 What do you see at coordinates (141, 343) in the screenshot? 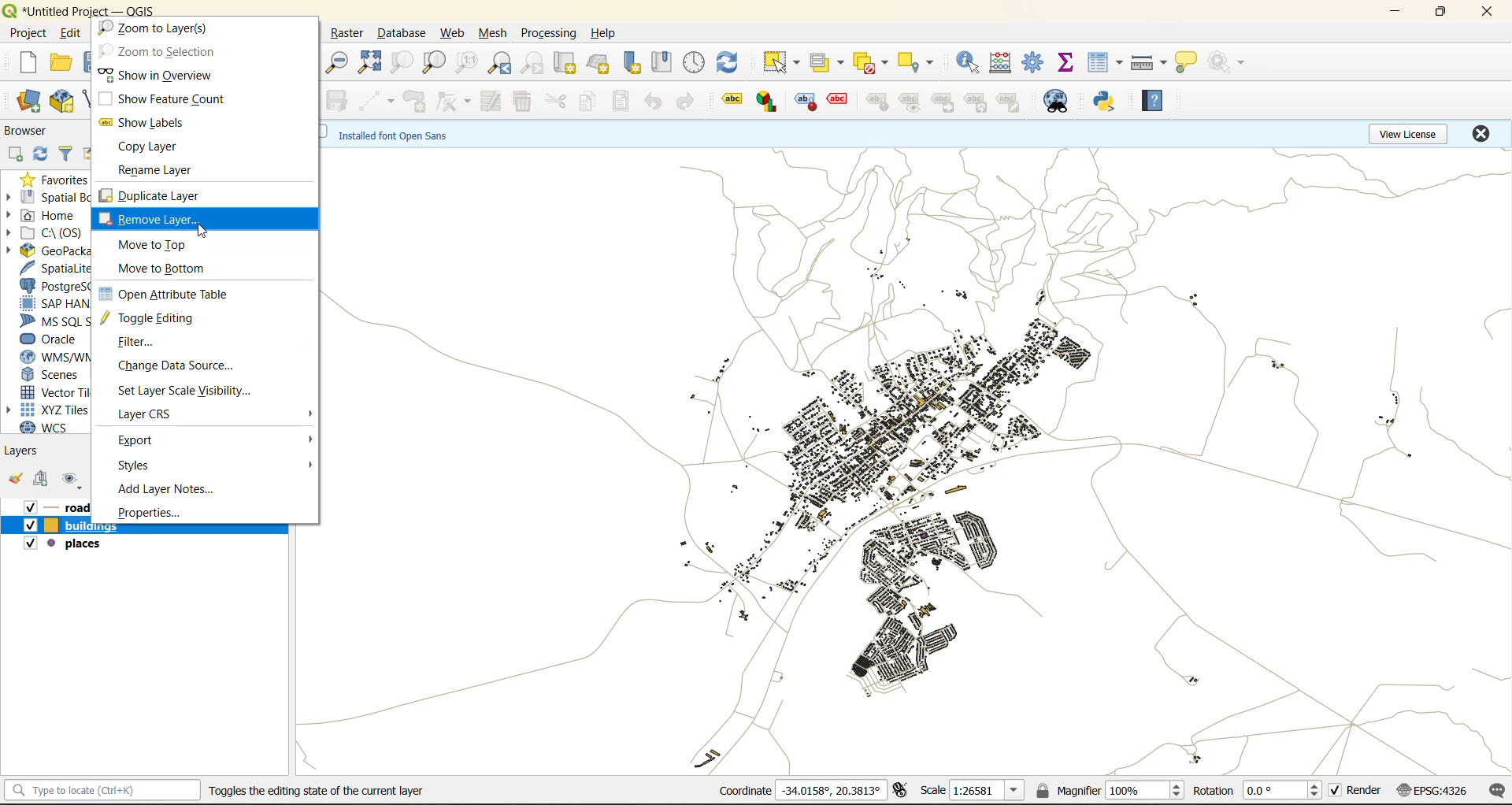
I see `filter` at bounding box center [141, 343].